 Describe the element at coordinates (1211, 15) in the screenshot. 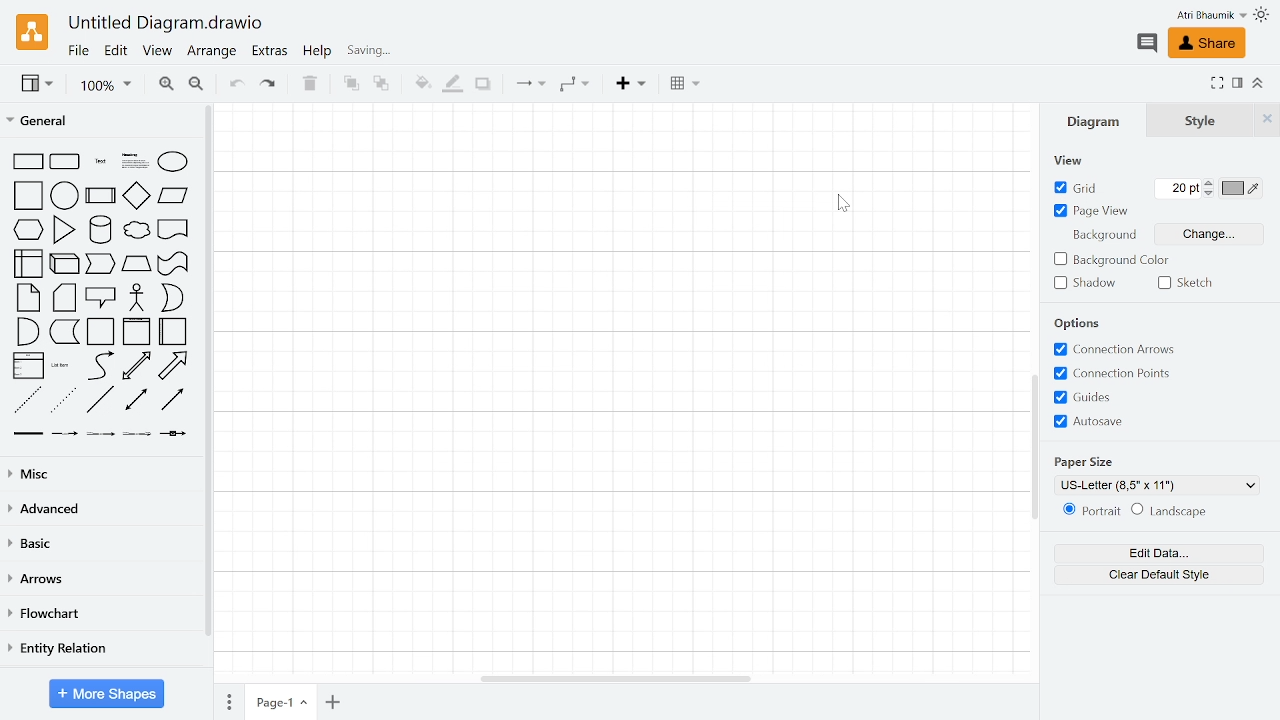

I see `Profile` at that location.